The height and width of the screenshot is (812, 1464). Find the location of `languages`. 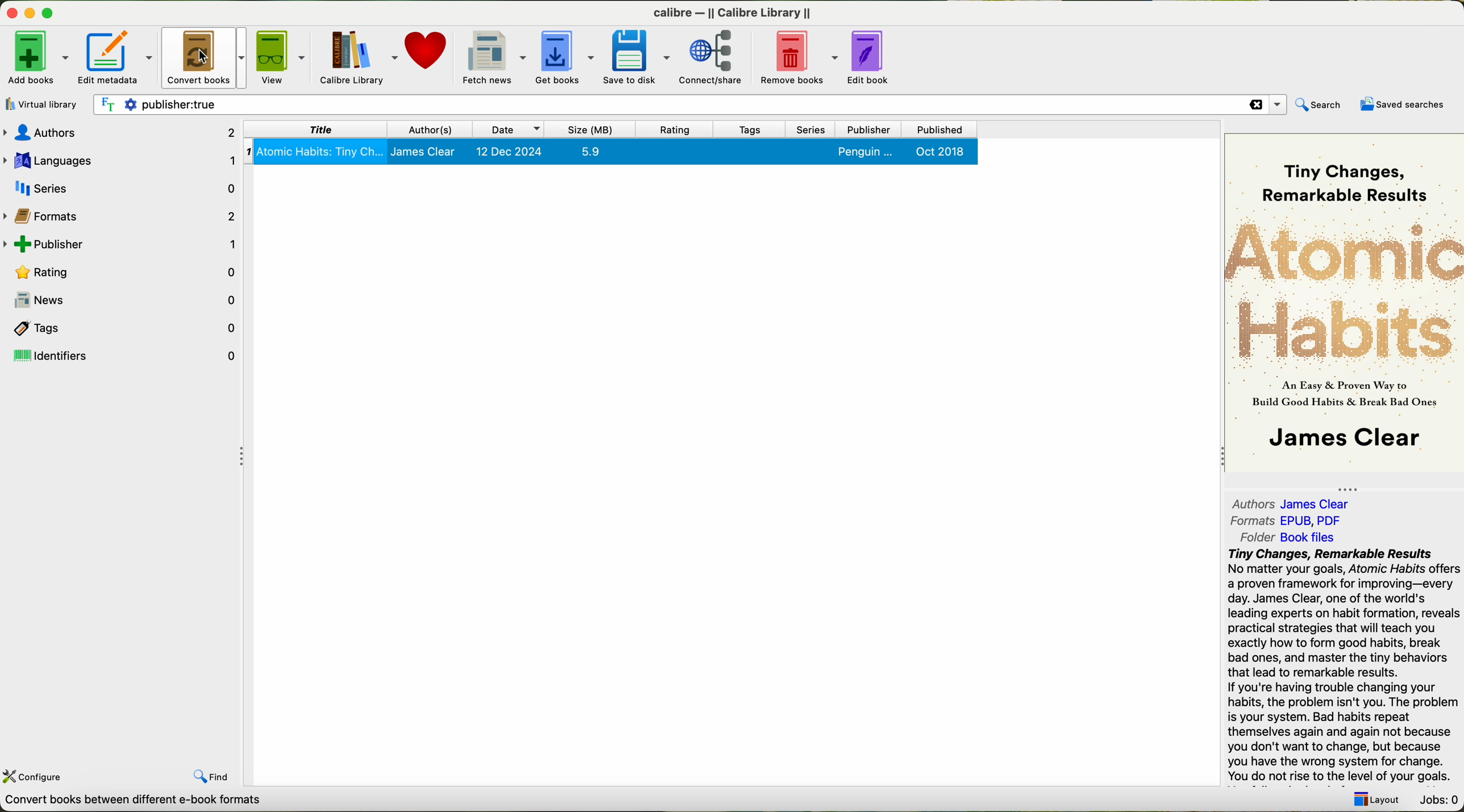

languages is located at coordinates (120, 161).